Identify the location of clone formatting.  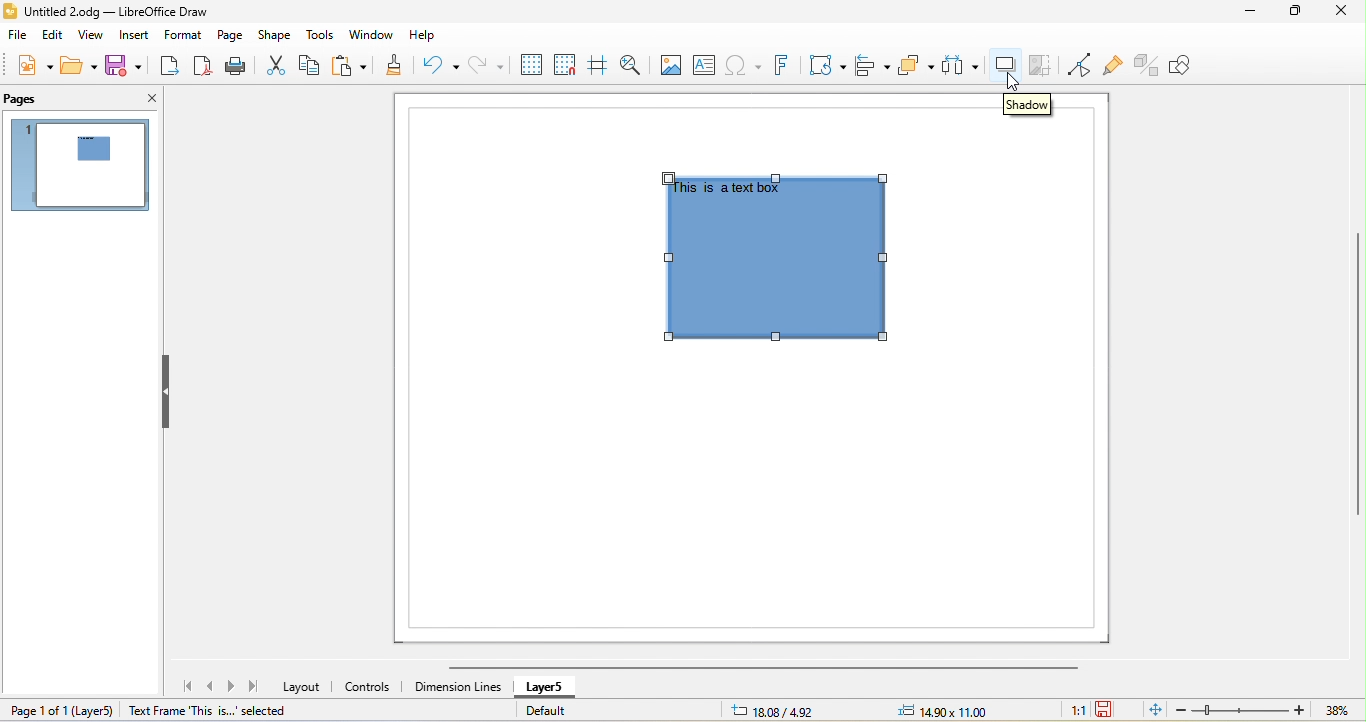
(395, 67).